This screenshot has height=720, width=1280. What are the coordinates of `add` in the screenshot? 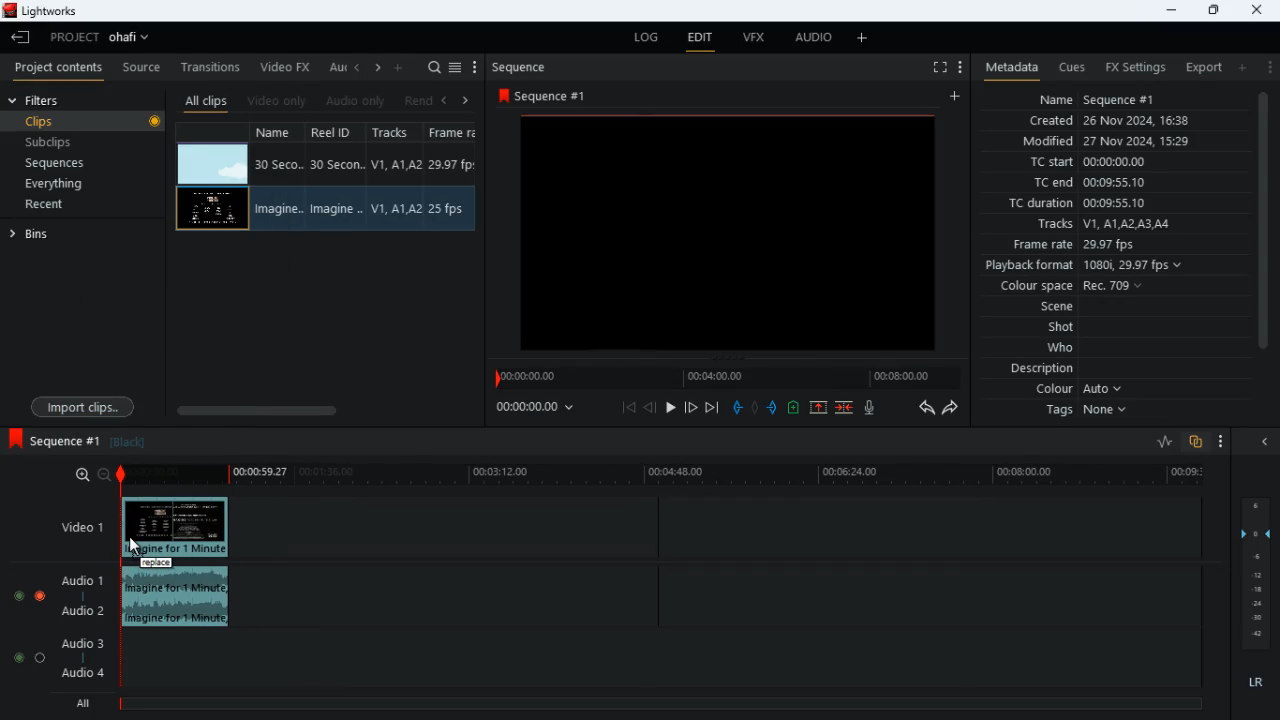 It's located at (1241, 67).